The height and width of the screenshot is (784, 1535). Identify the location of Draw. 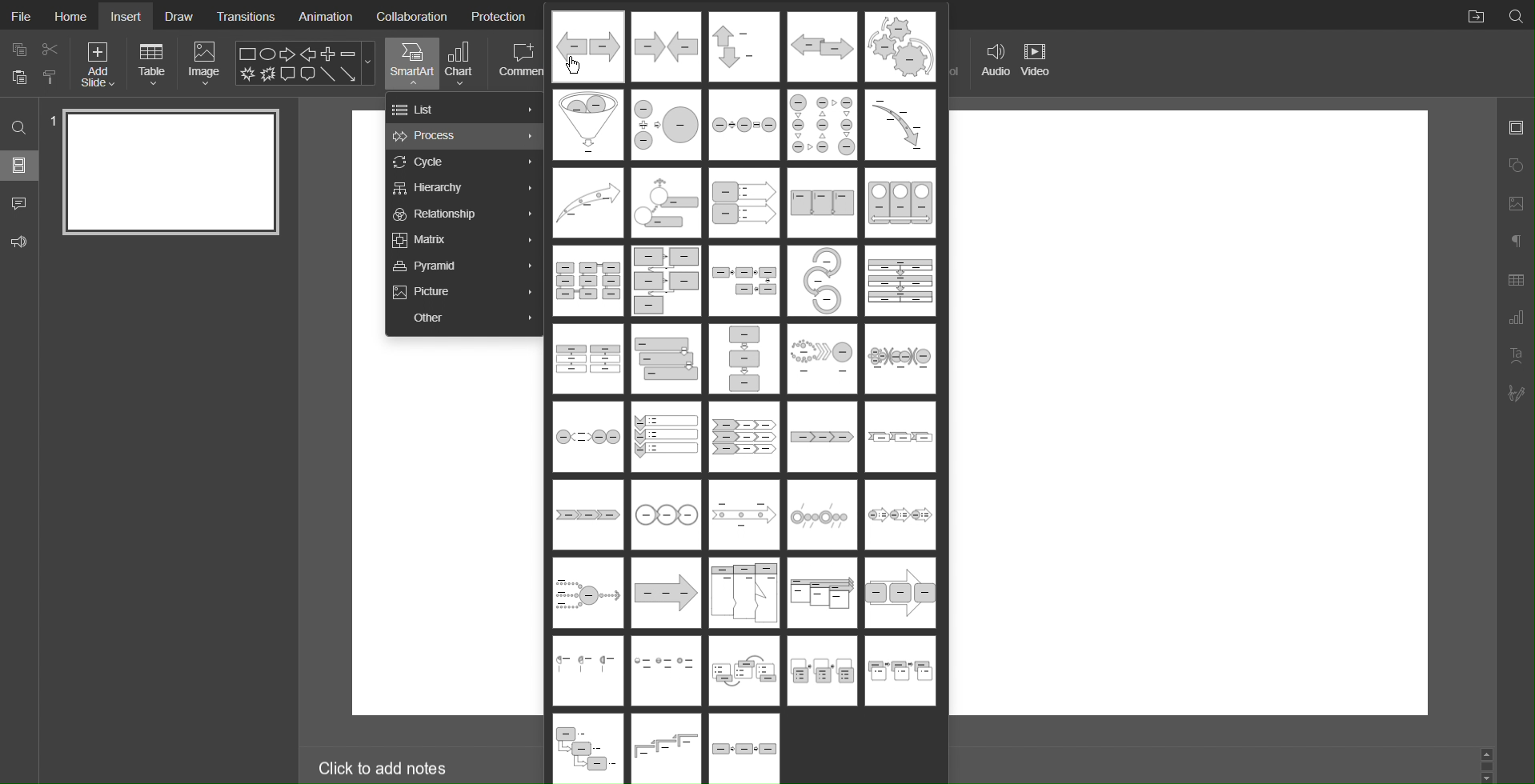
(179, 15).